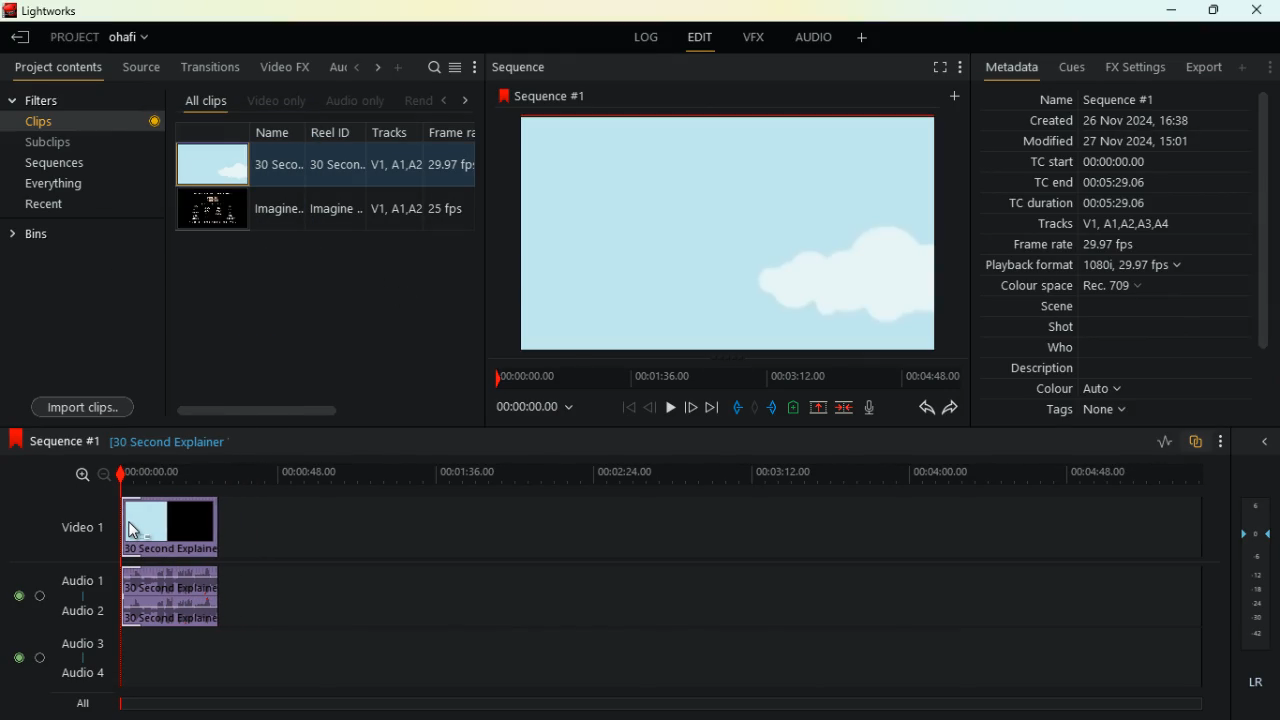  I want to click on clips, so click(82, 120).